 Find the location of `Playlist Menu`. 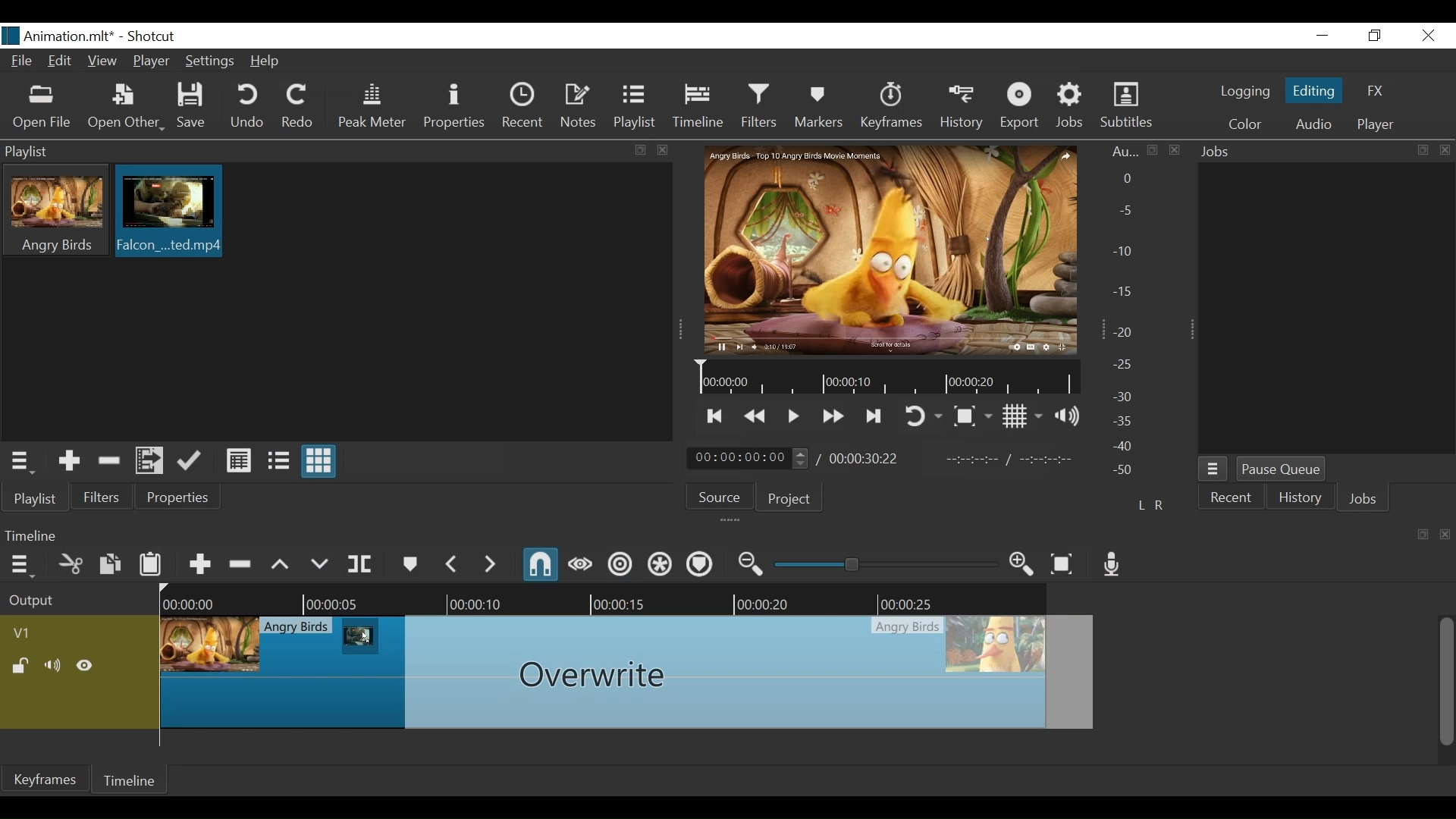

Playlist Menu is located at coordinates (20, 461).